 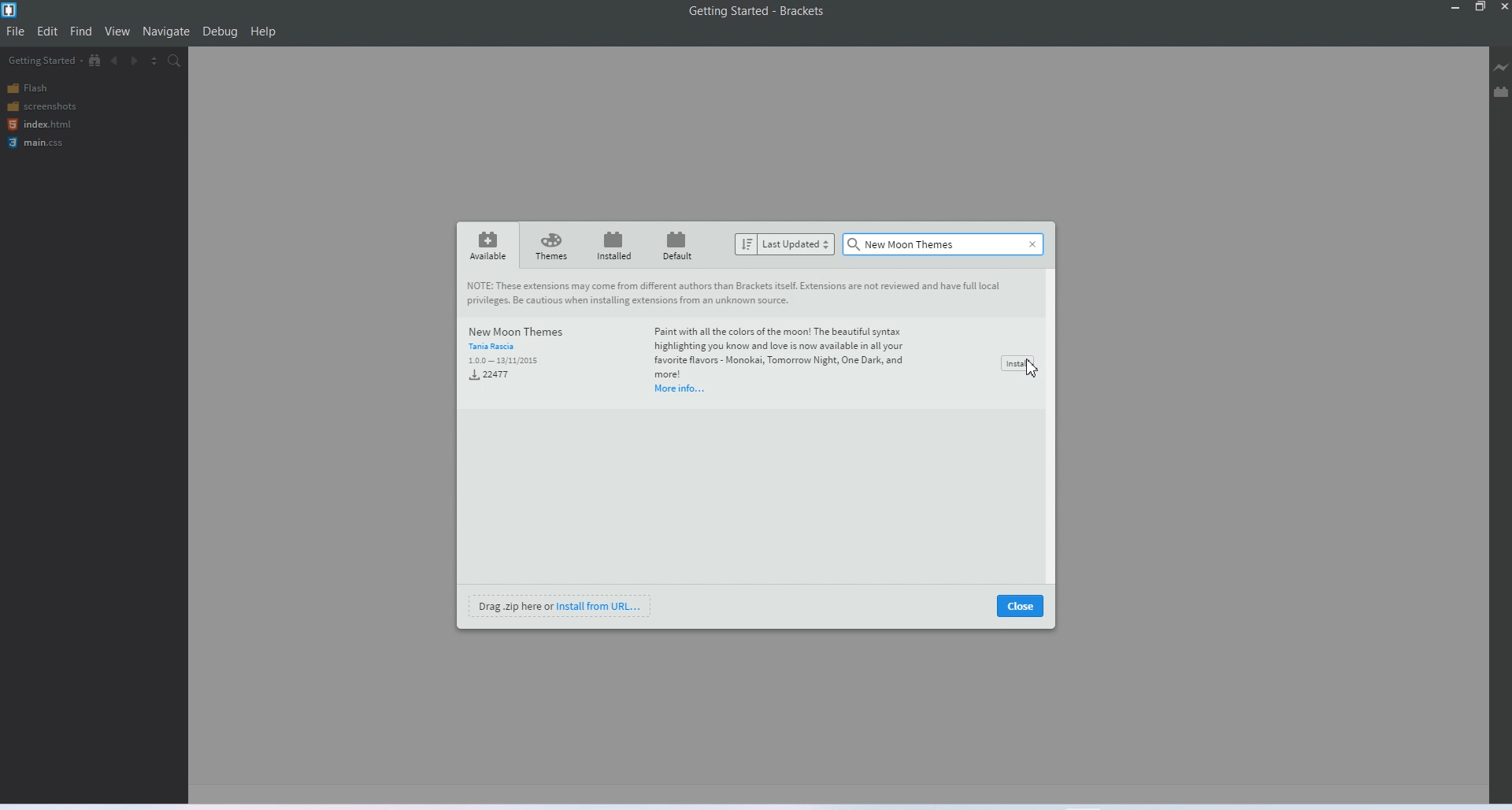 I want to click on close, so click(x=1019, y=605).